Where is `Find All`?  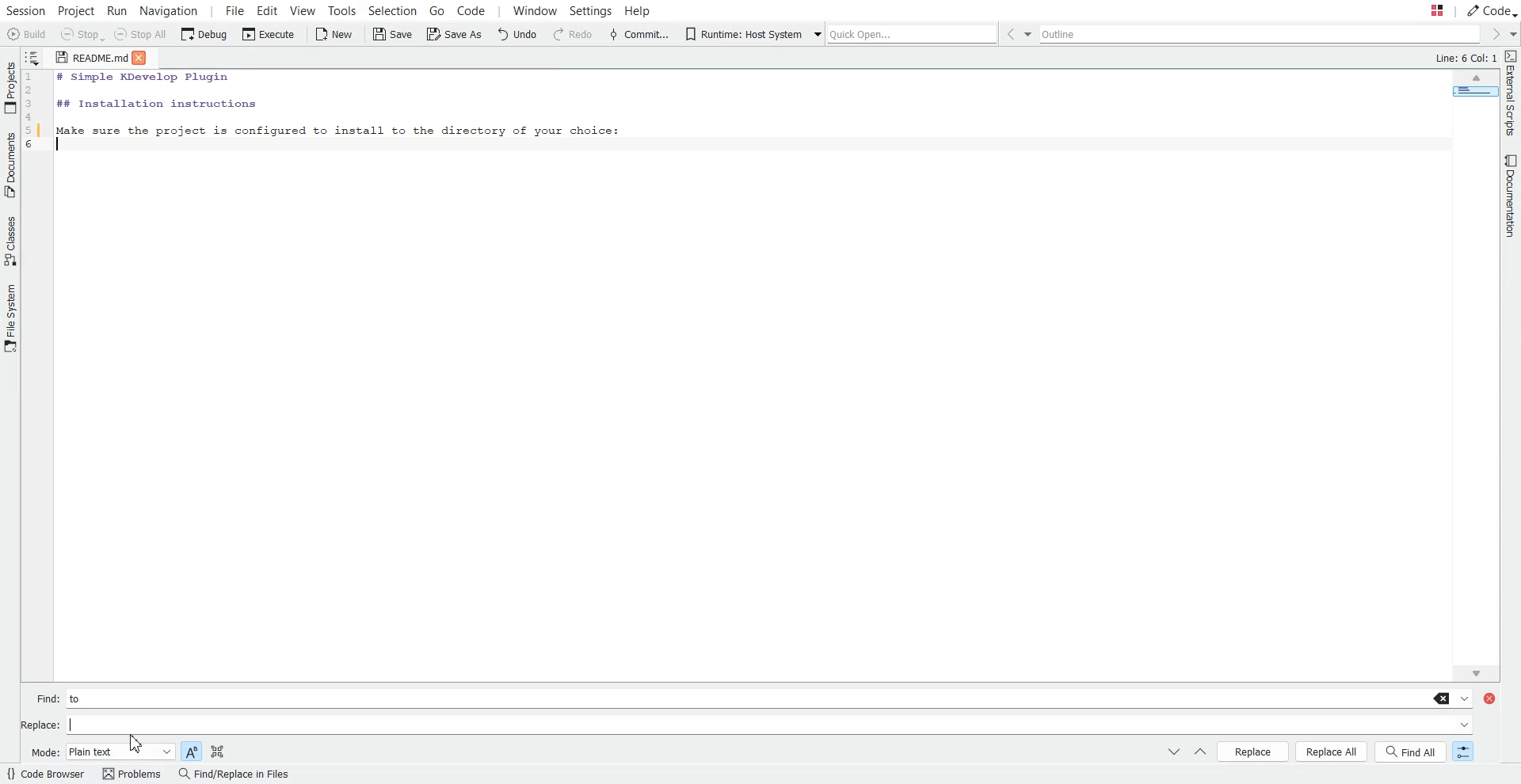 Find All is located at coordinates (1412, 752).